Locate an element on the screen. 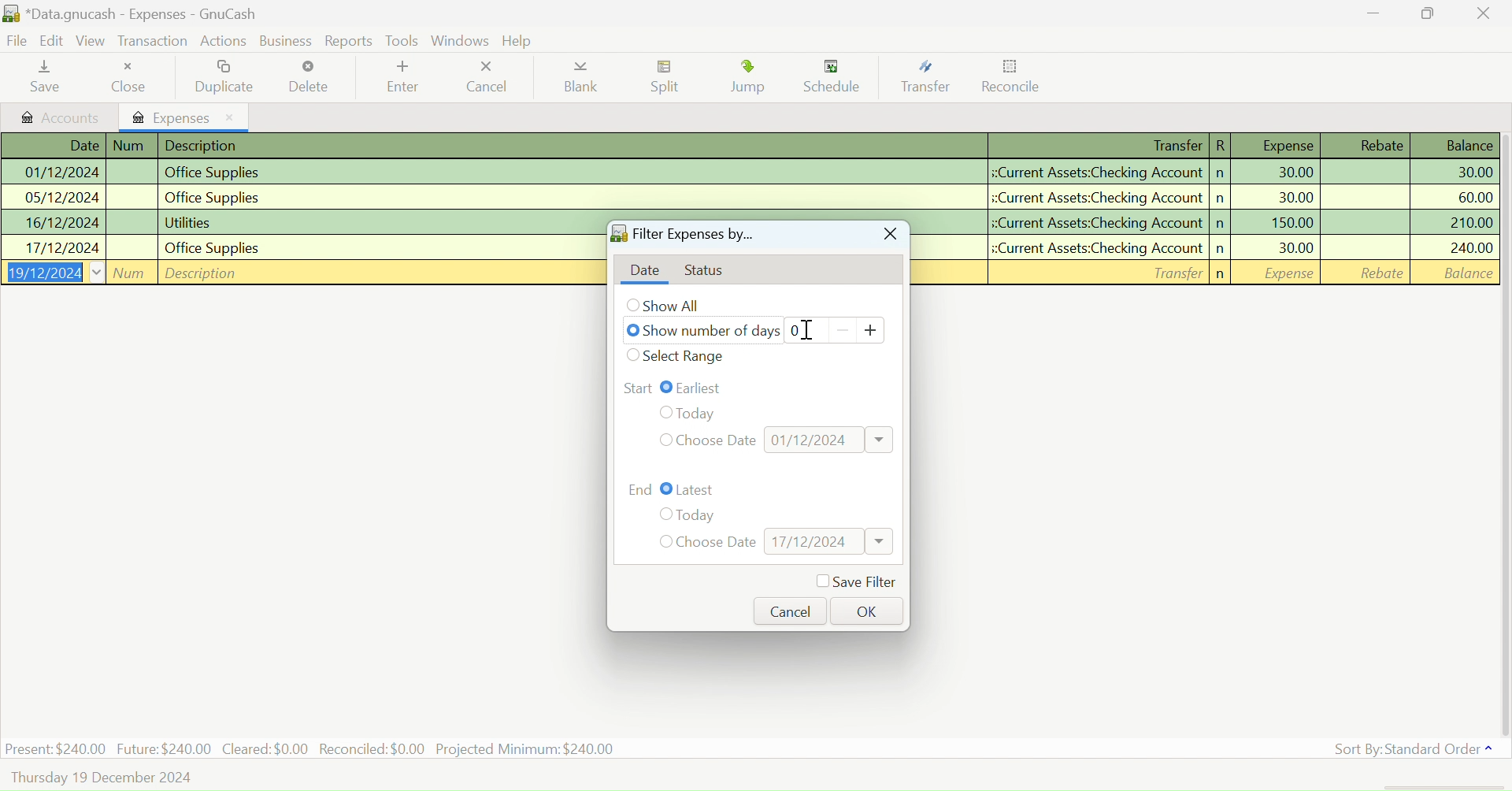  Edit is located at coordinates (53, 42).